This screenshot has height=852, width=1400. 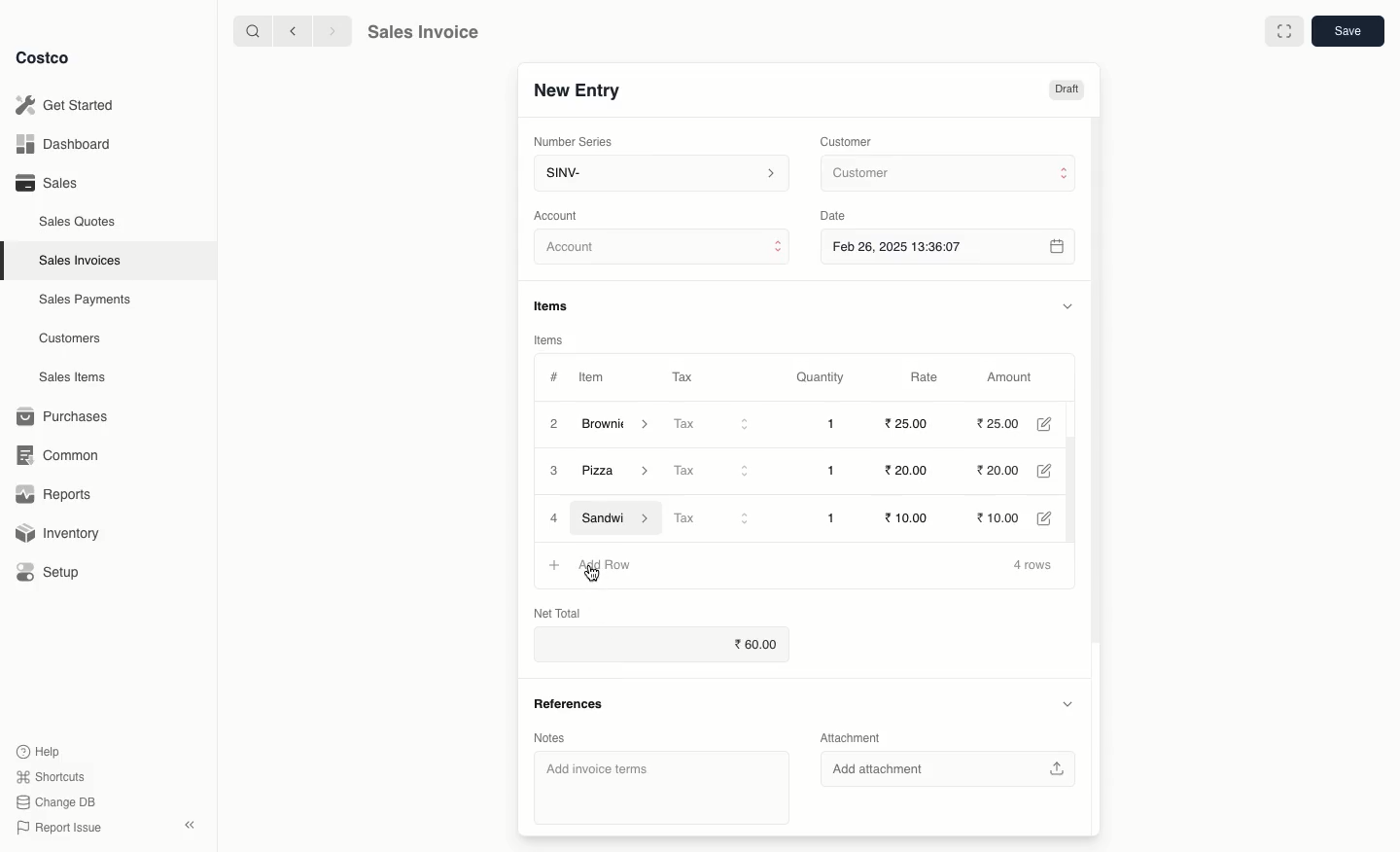 What do you see at coordinates (555, 472) in the screenshot?
I see `3` at bounding box center [555, 472].